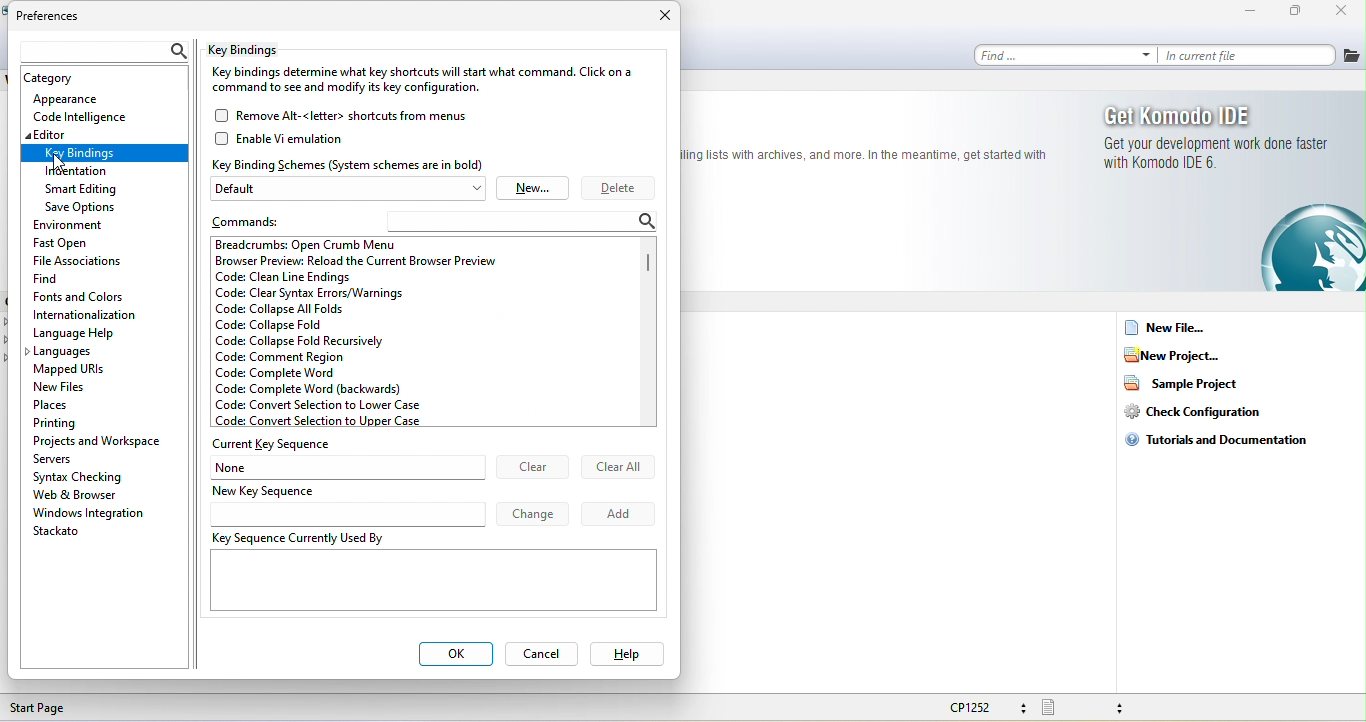 The height and width of the screenshot is (722, 1366). I want to click on delete, so click(619, 189).